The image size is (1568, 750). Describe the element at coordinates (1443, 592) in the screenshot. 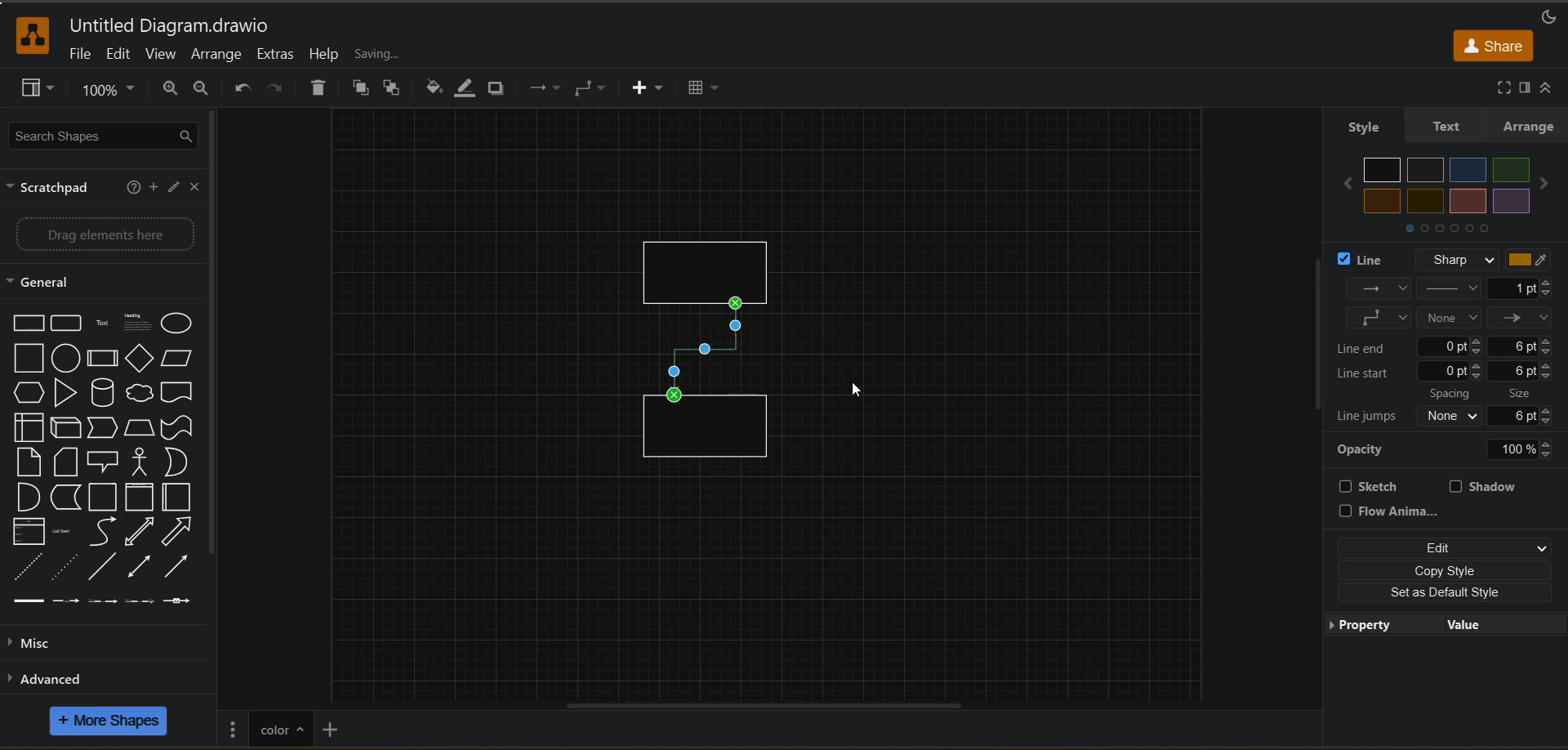

I see `set as default style` at that location.